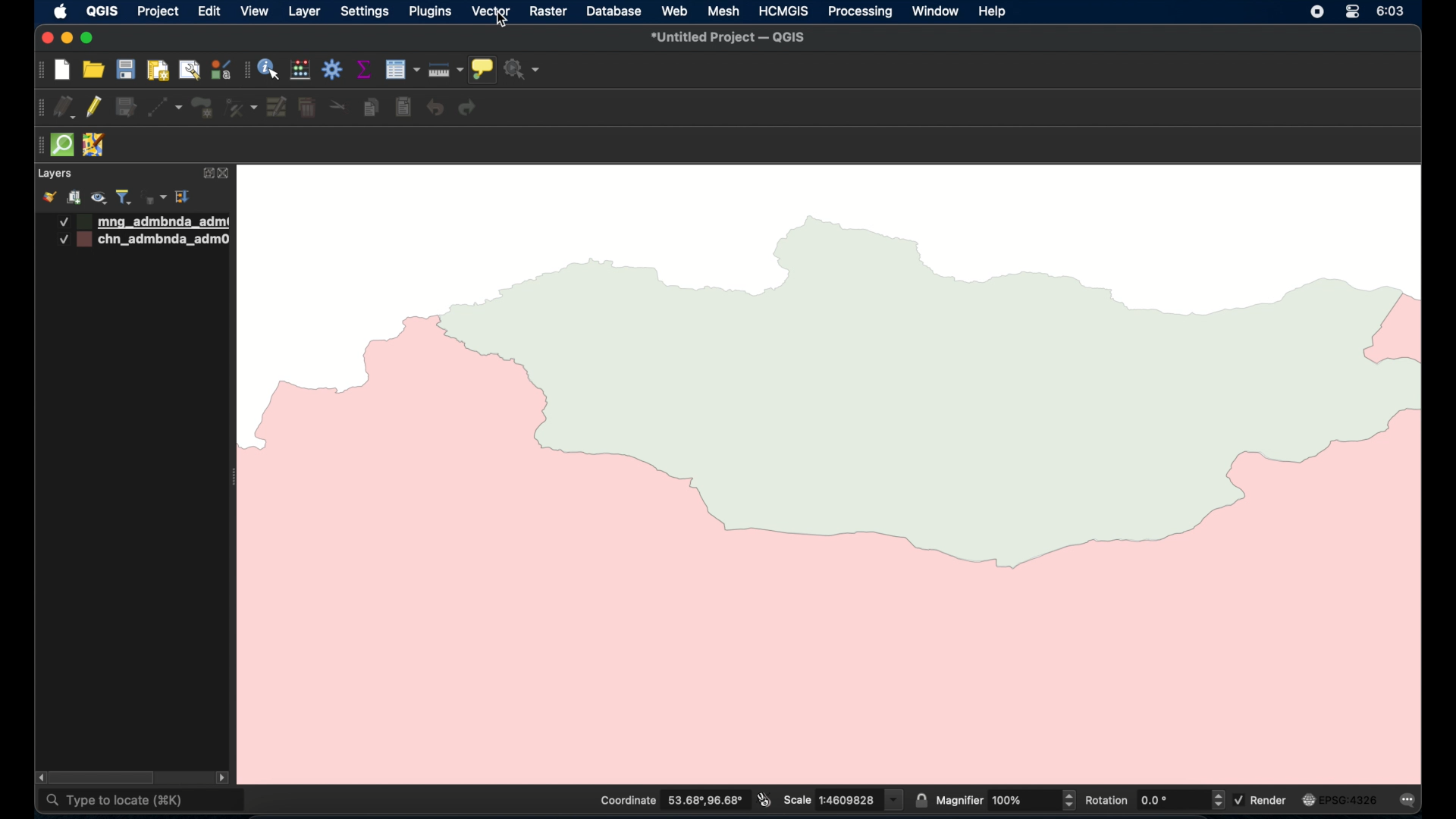 The image size is (1456, 819). What do you see at coordinates (301, 71) in the screenshot?
I see `open field calculator` at bounding box center [301, 71].